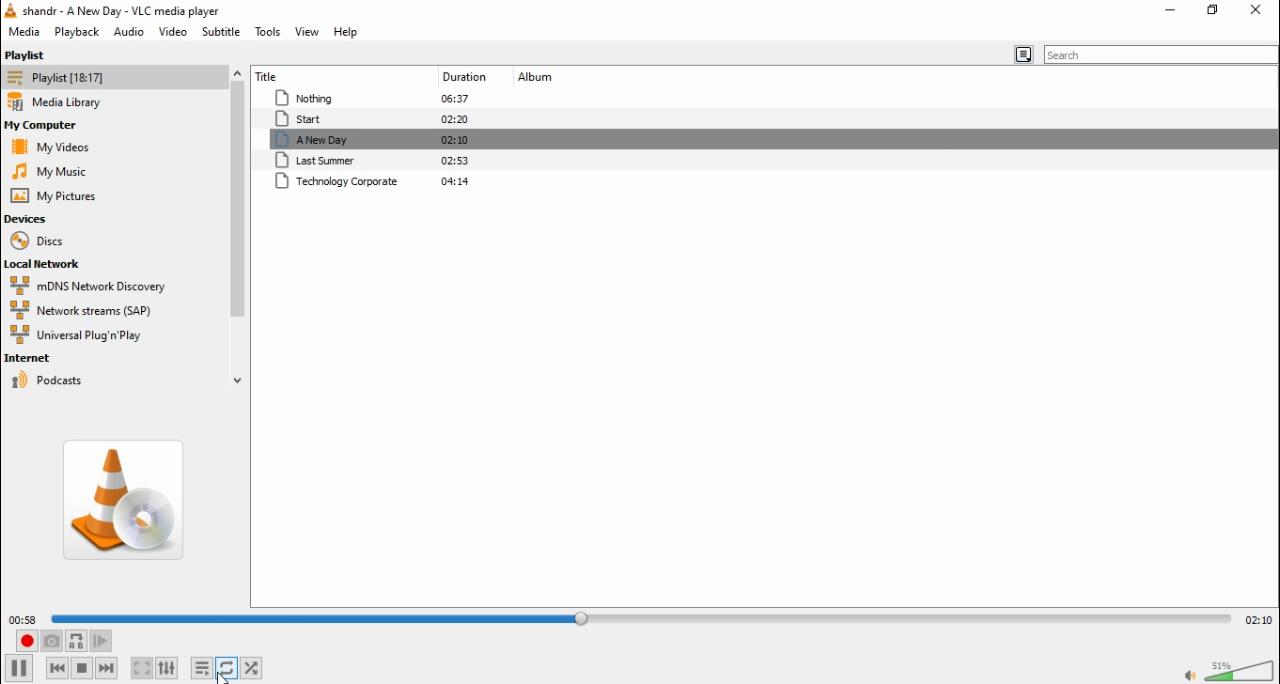 This screenshot has height=684, width=1280. Describe the element at coordinates (22, 33) in the screenshot. I see `media` at that location.